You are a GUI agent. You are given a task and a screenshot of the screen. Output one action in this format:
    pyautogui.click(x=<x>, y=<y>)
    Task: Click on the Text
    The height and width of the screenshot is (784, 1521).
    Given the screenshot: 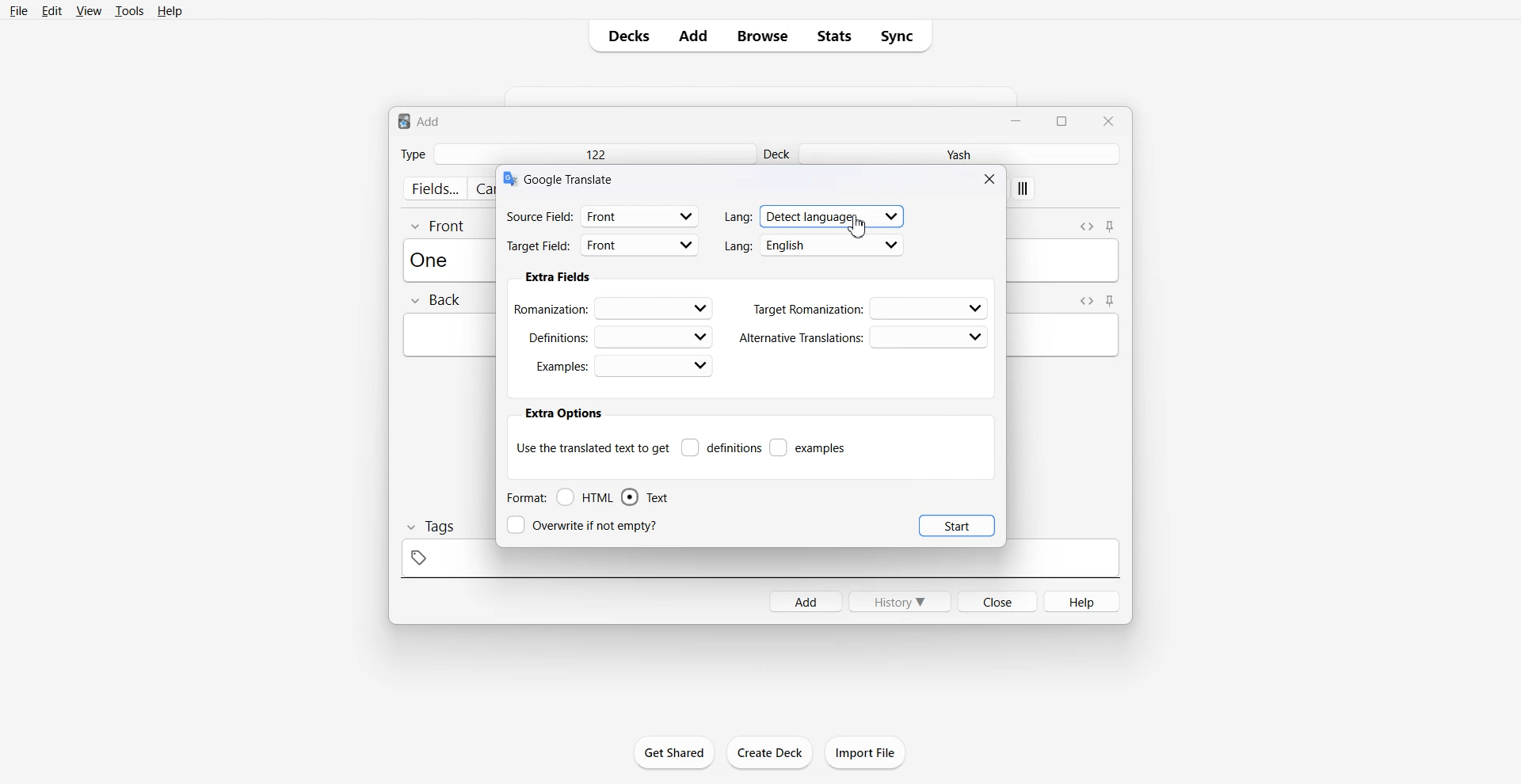 What is the action you would take?
    pyautogui.click(x=645, y=497)
    